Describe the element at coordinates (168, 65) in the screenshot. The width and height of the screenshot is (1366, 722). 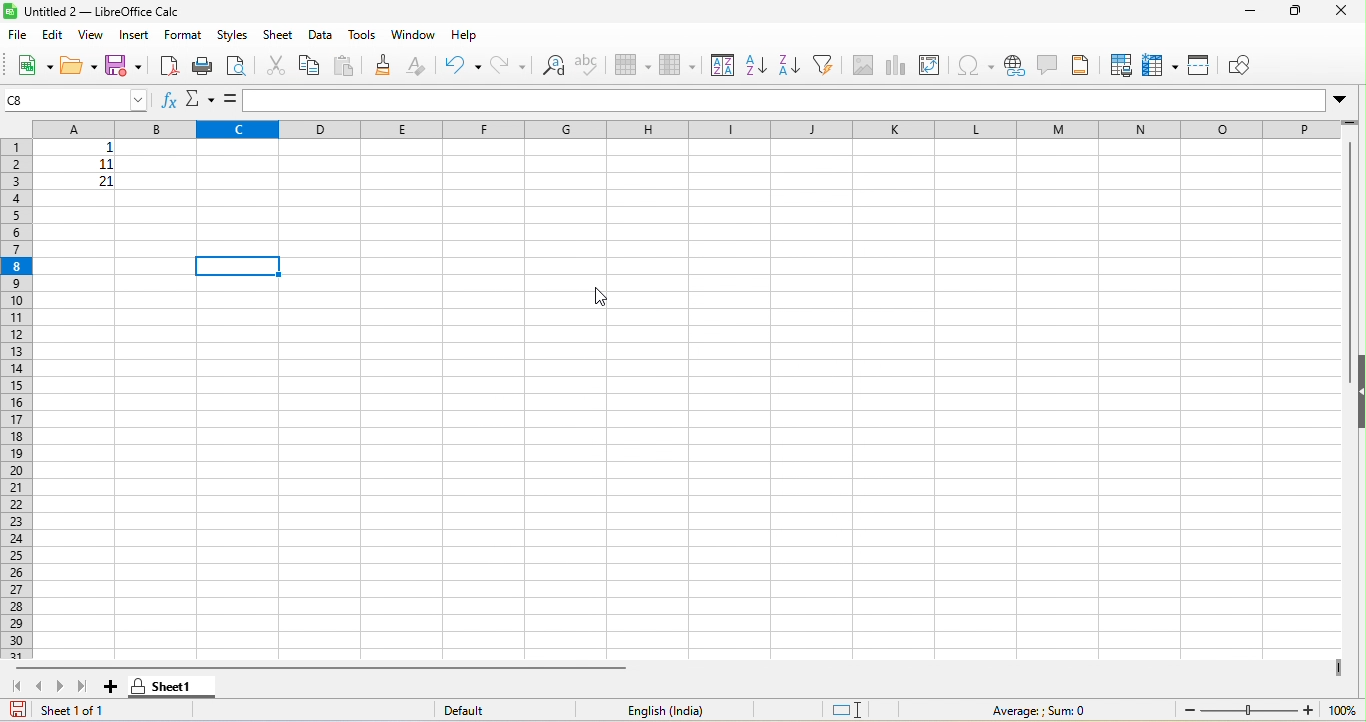
I see `export pdf` at that location.